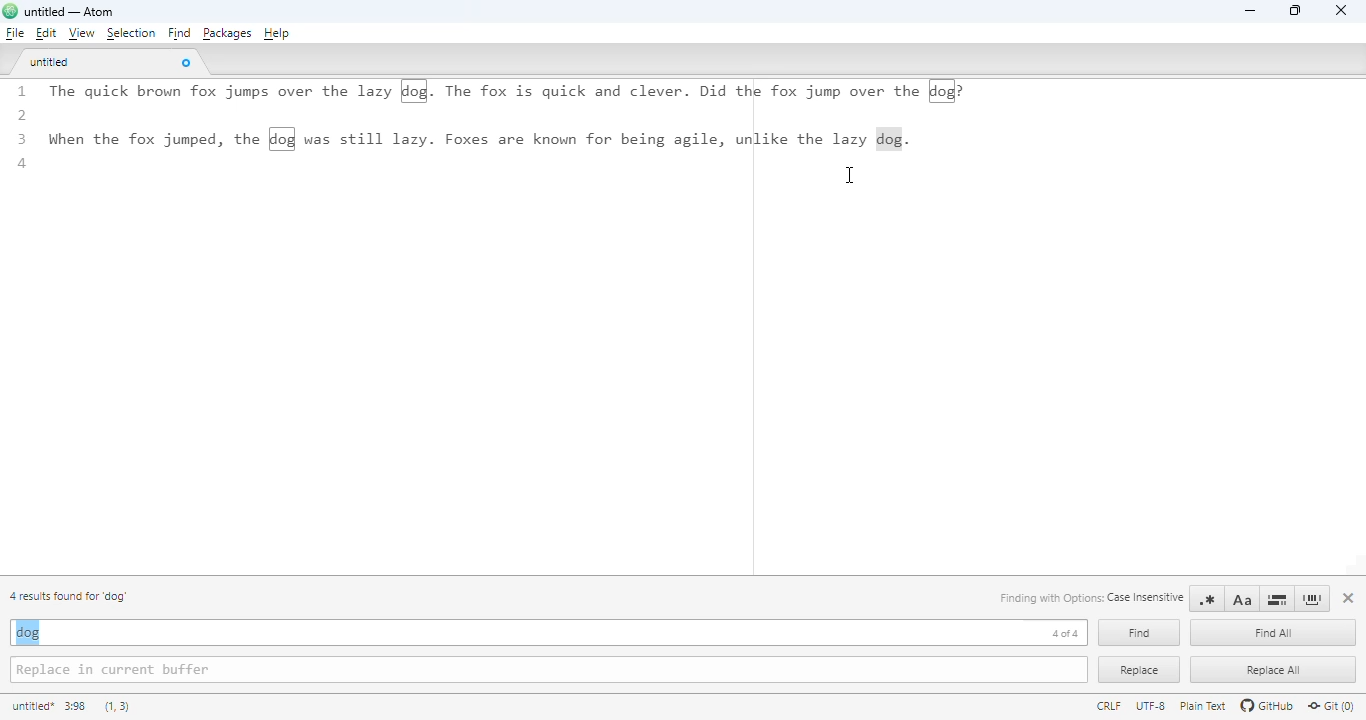 The height and width of the screenshot is (720, 1366). Describe the element at coordinates (27, 632) in the screenshot. I see `dog` at that location.